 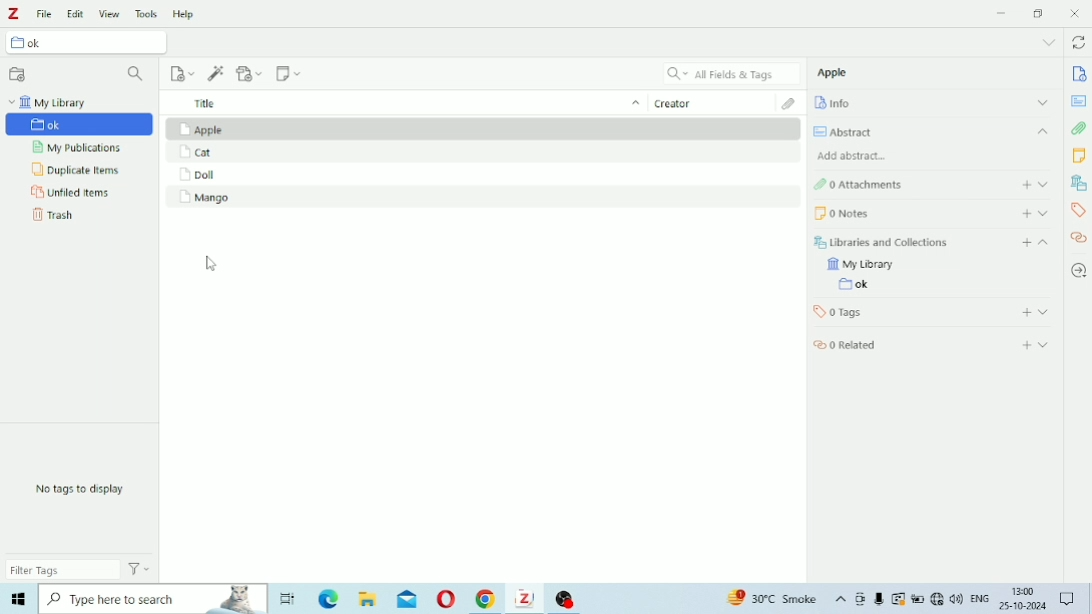 What do you see at coordinates (367, 598) in the screenshot?
I see `` at bounding box center [367, 598].